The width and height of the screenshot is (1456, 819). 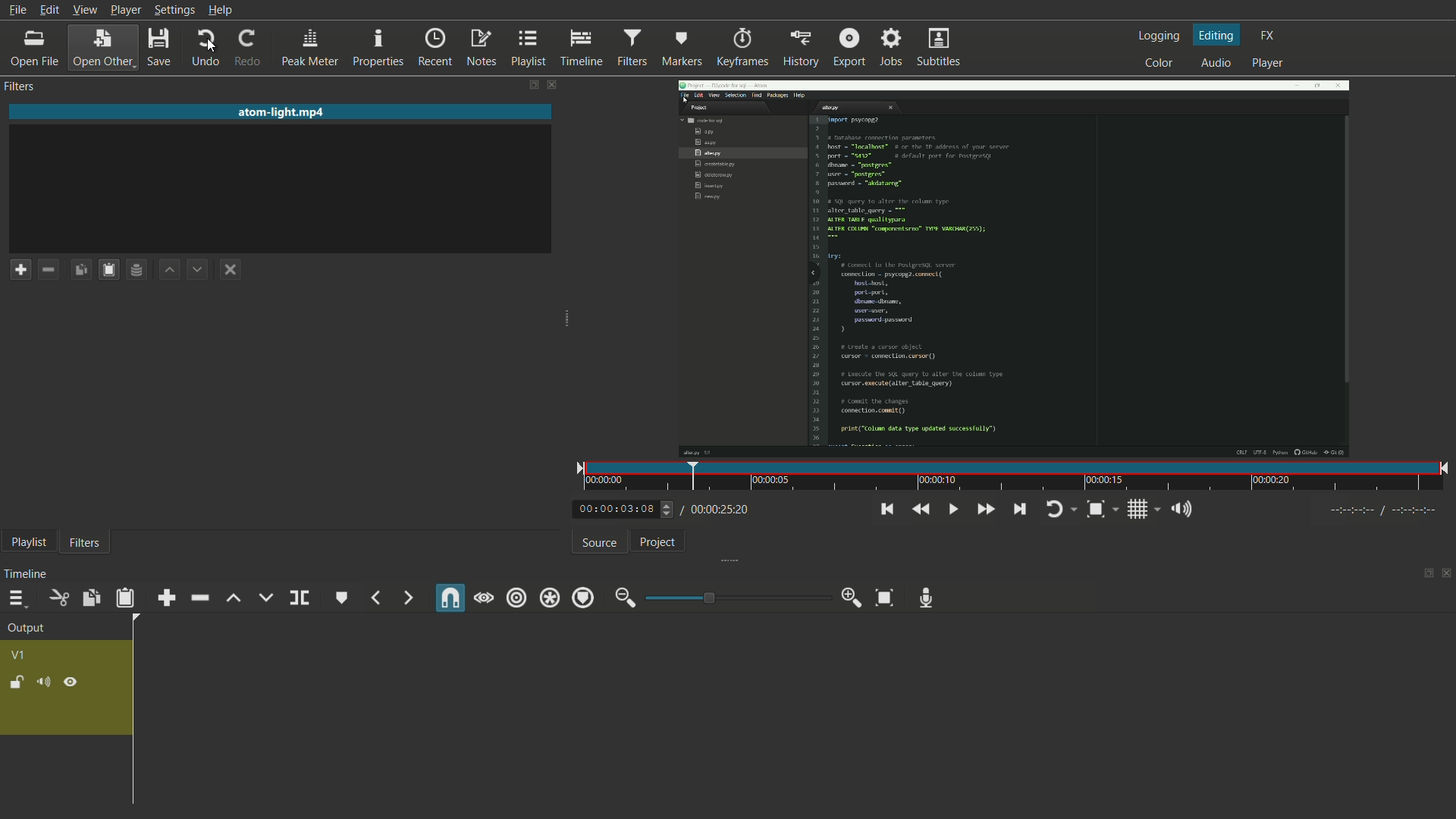 I want to click on peak meter, so click(x=310, y=47).